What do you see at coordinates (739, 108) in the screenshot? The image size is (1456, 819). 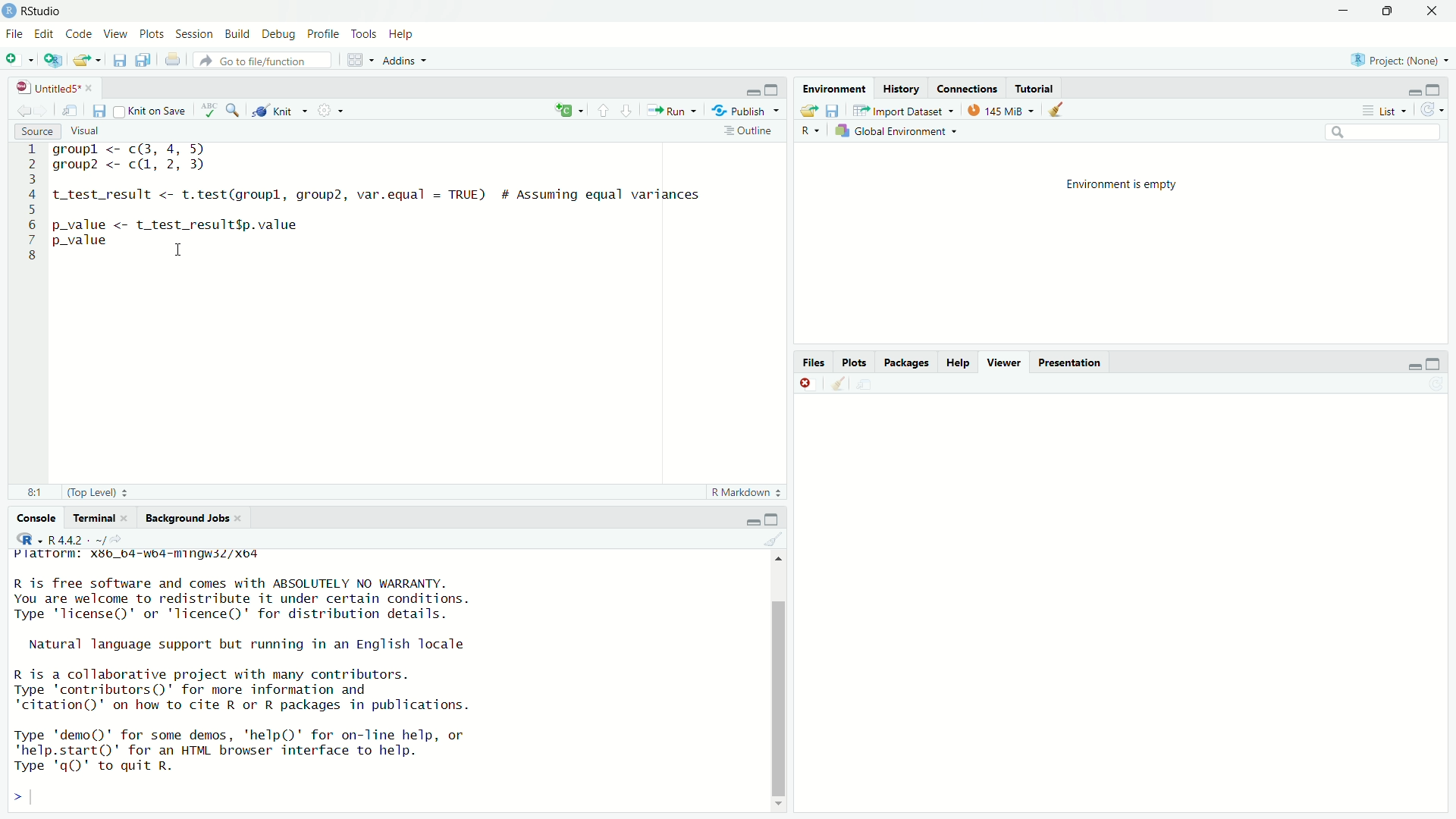 I see `“3, Publish` at bounding box center [739, 108].